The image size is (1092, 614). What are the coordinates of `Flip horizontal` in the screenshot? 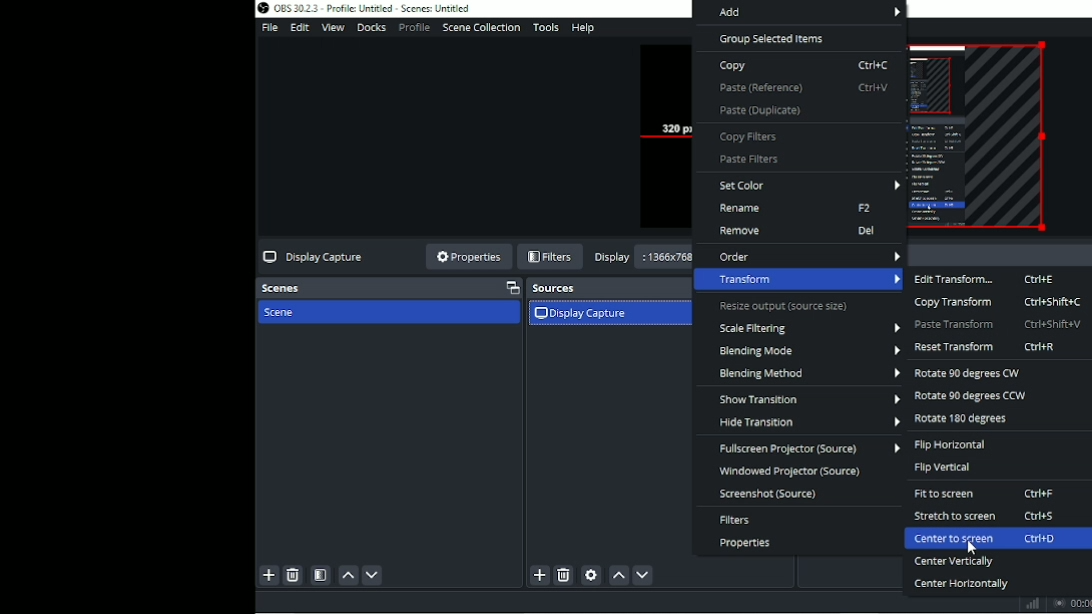 It's located at (959, 444).